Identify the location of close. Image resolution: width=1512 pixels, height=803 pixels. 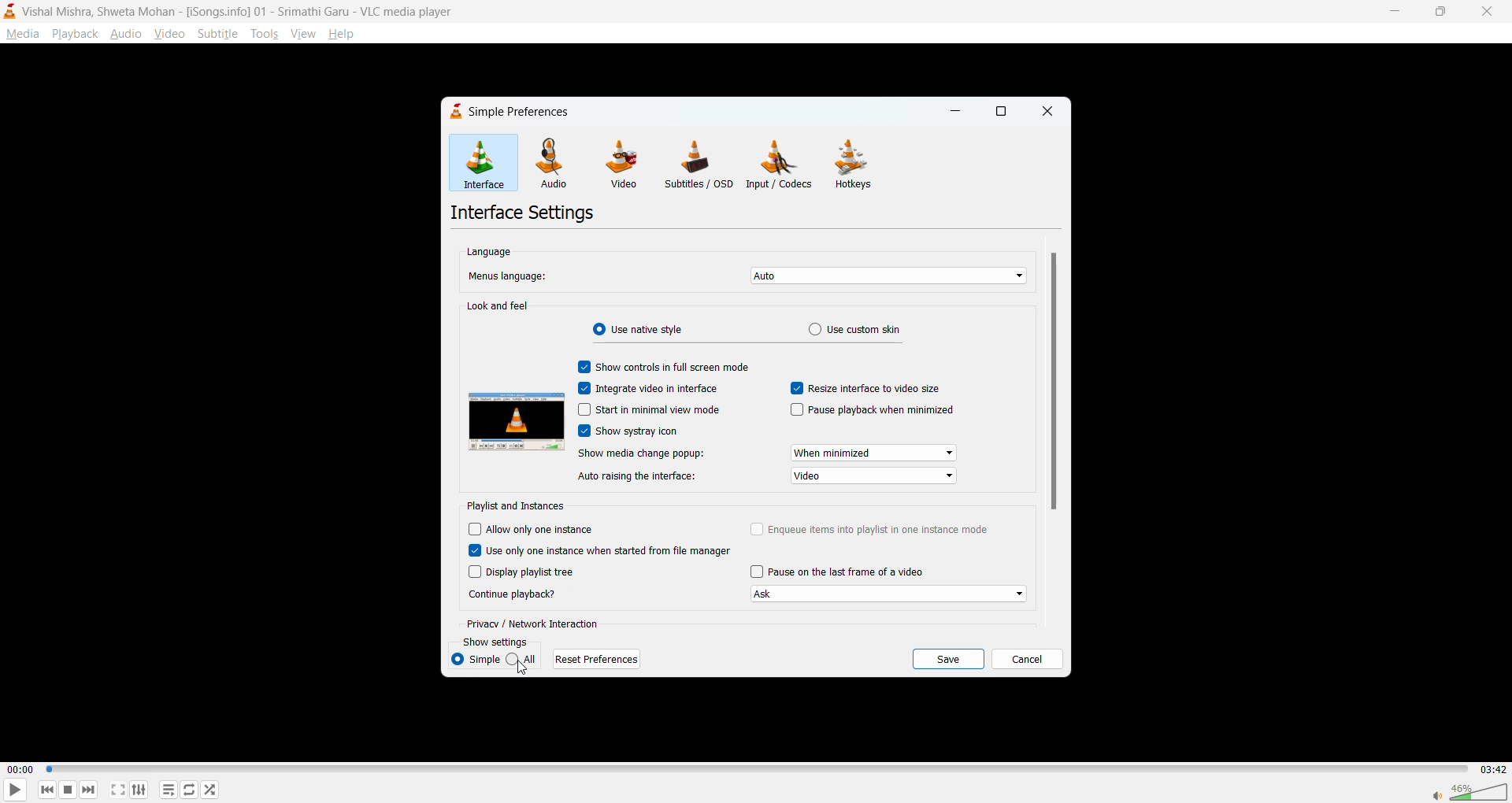
(1482, 12).